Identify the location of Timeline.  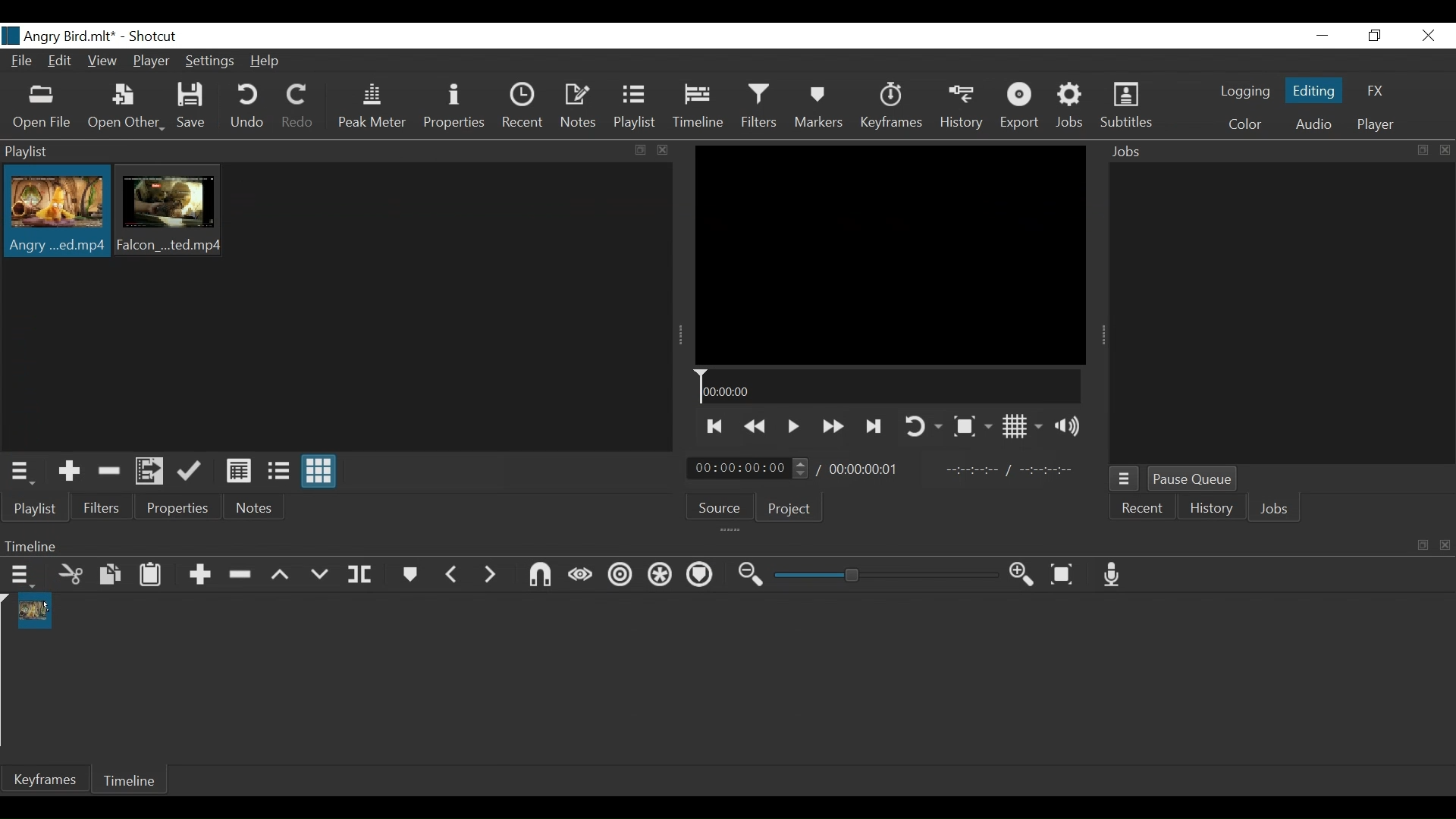
(889, 387).